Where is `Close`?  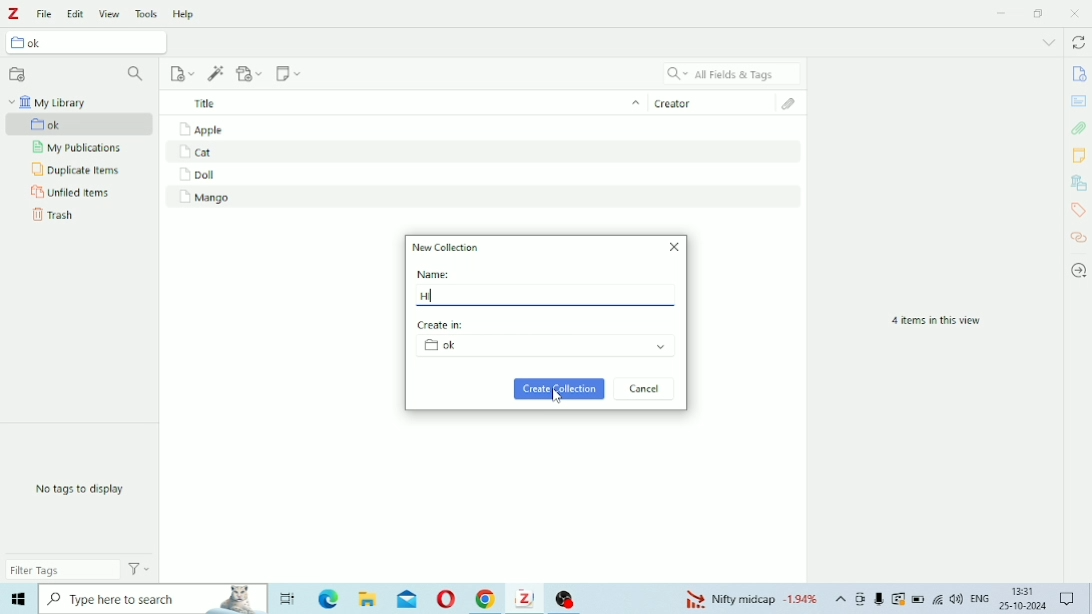
Close is located at coordinates (675, 246).